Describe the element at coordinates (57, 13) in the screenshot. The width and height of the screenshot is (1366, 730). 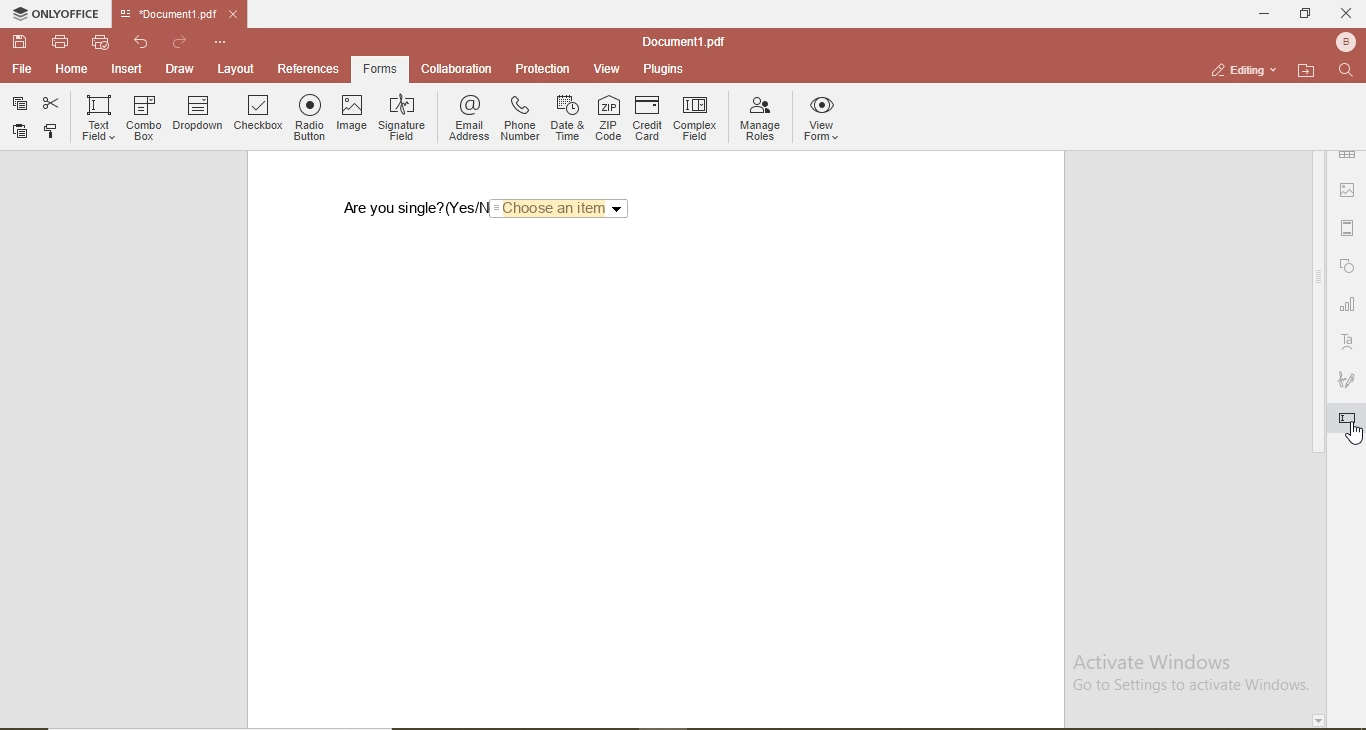
I see `onlyoffice` at that location.